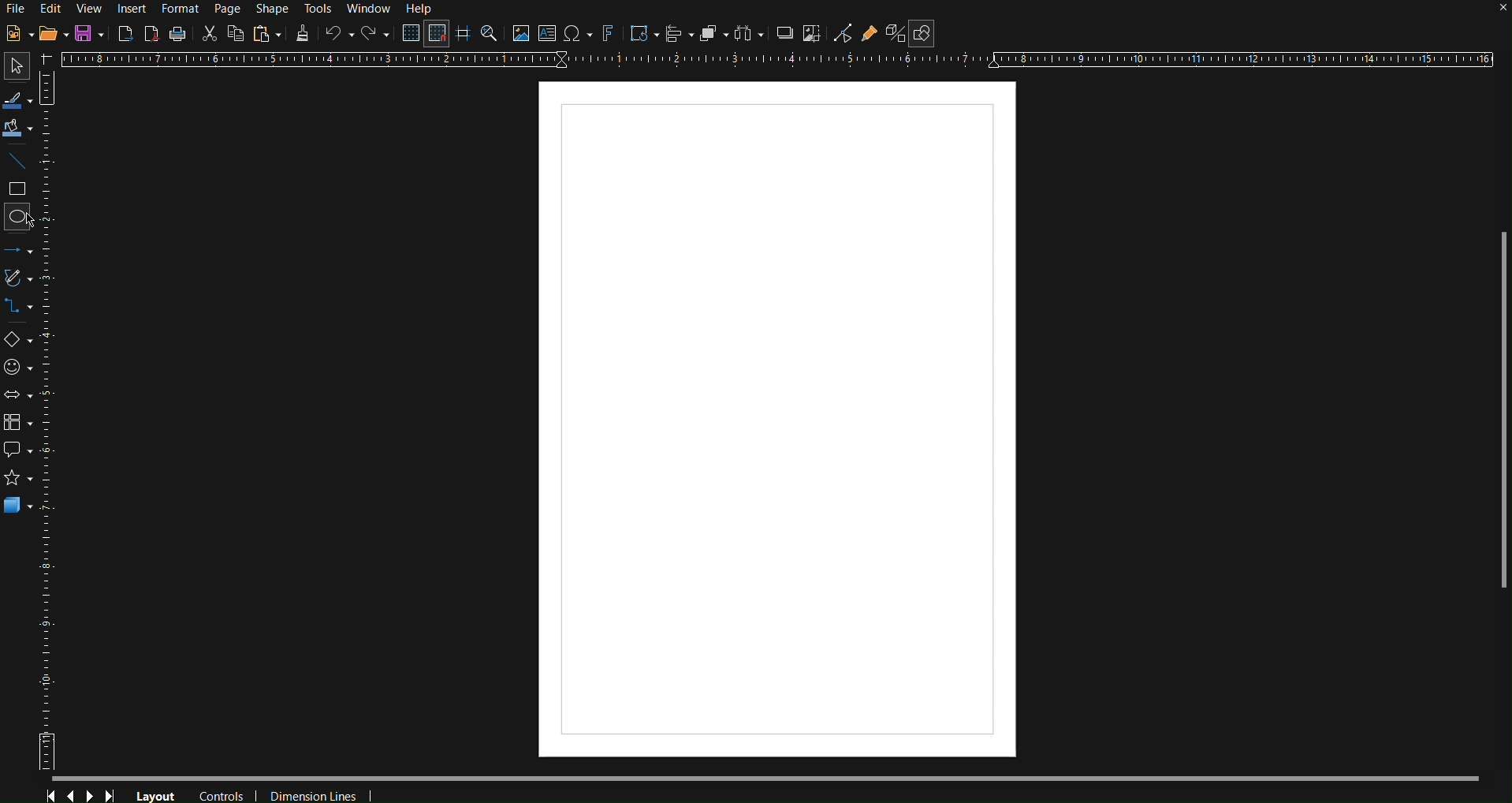 Image resolution: width=1512 pixels, height=803 pixels. What do you see at coordinates (178, 34) in the screenshot?
I see `Print` at bounding box center [178, 34].